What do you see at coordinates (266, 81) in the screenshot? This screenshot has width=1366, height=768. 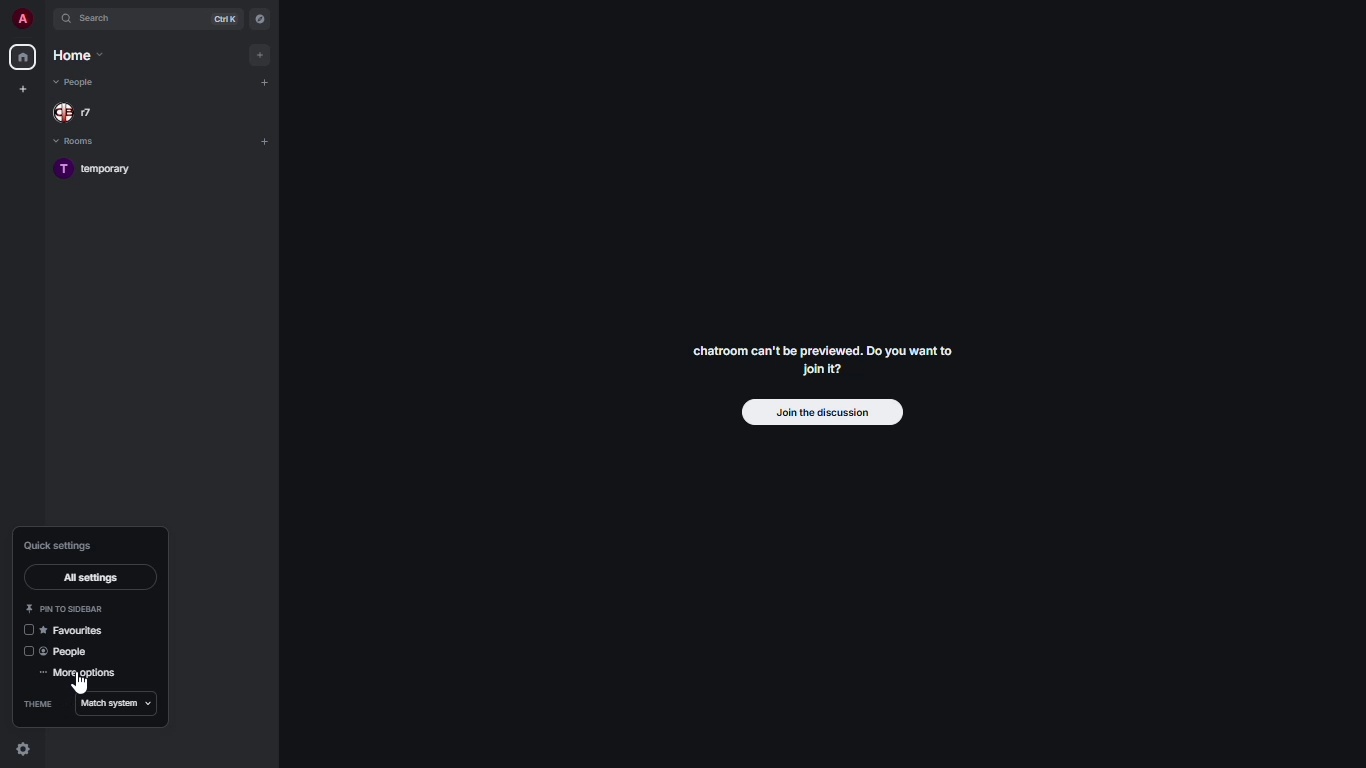 I see `add` at bounding box center [266, 81].